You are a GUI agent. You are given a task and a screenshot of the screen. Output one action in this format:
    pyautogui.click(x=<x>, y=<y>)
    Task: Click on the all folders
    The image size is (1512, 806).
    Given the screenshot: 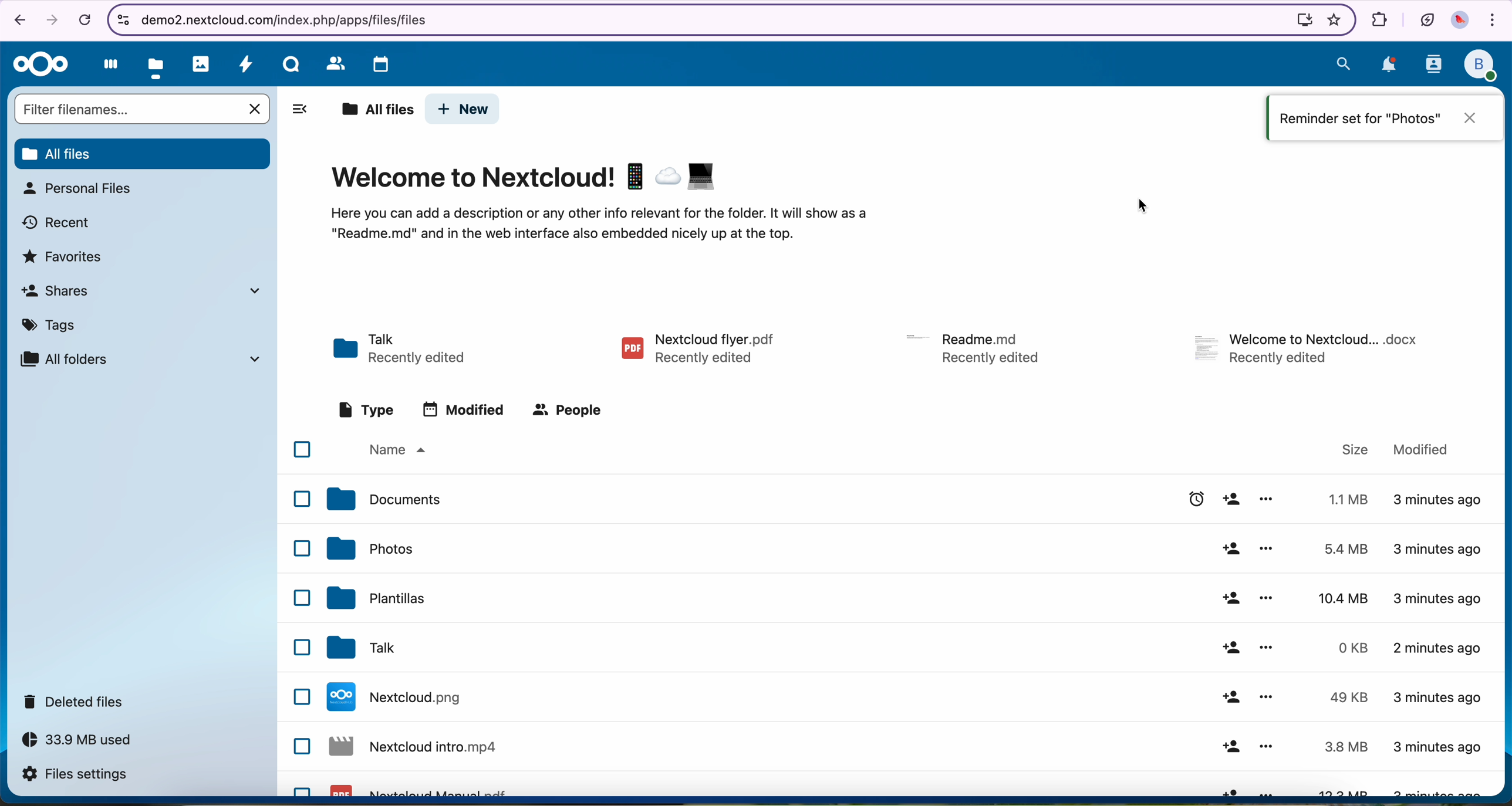 What is the action you would take?
    pyautogui.click(x=146, y=358)
    